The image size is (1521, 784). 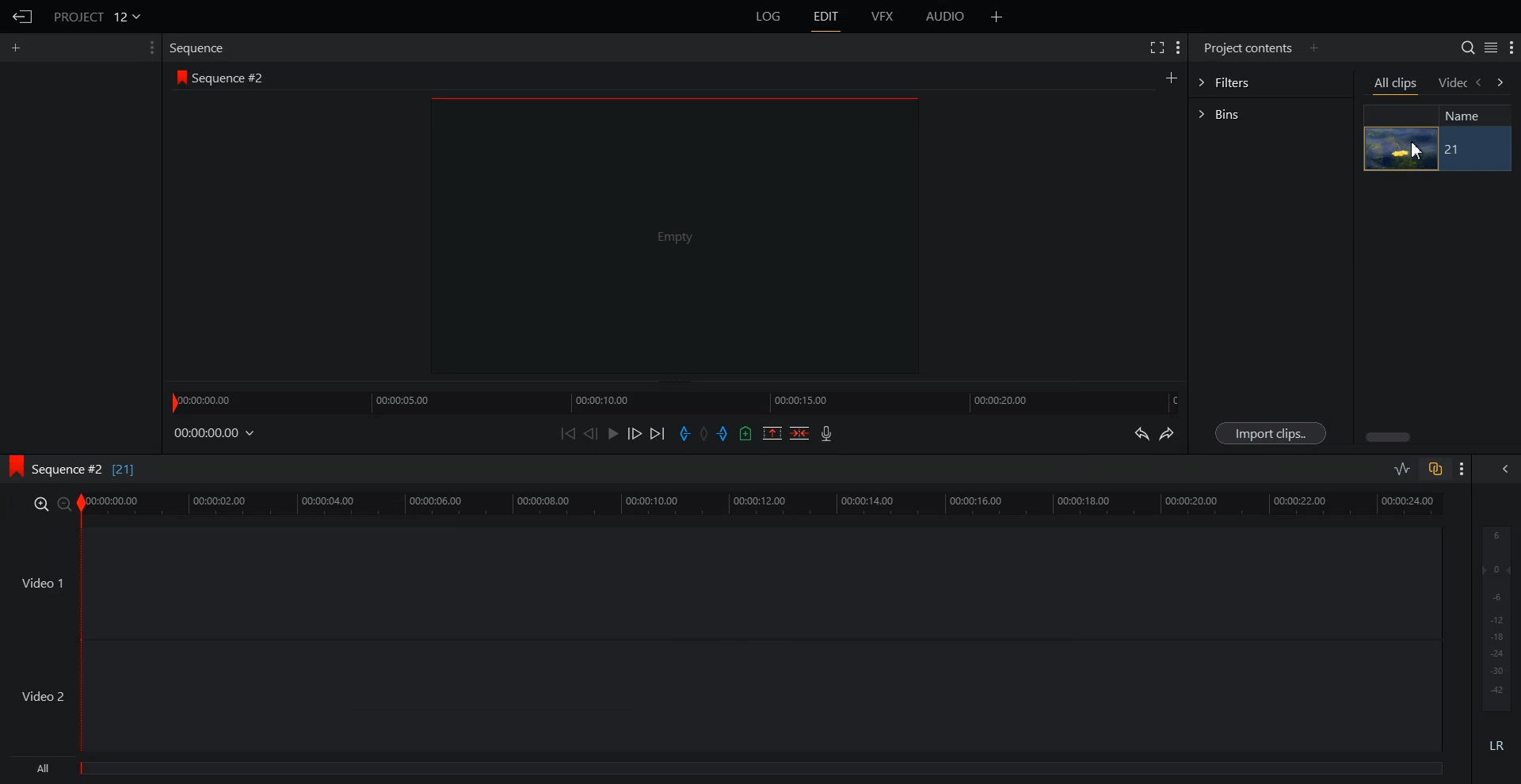 What do you see at coordinates (772, 432) in the screenshot?
I see `Remove the mark section` at bounding box center [772, 432].